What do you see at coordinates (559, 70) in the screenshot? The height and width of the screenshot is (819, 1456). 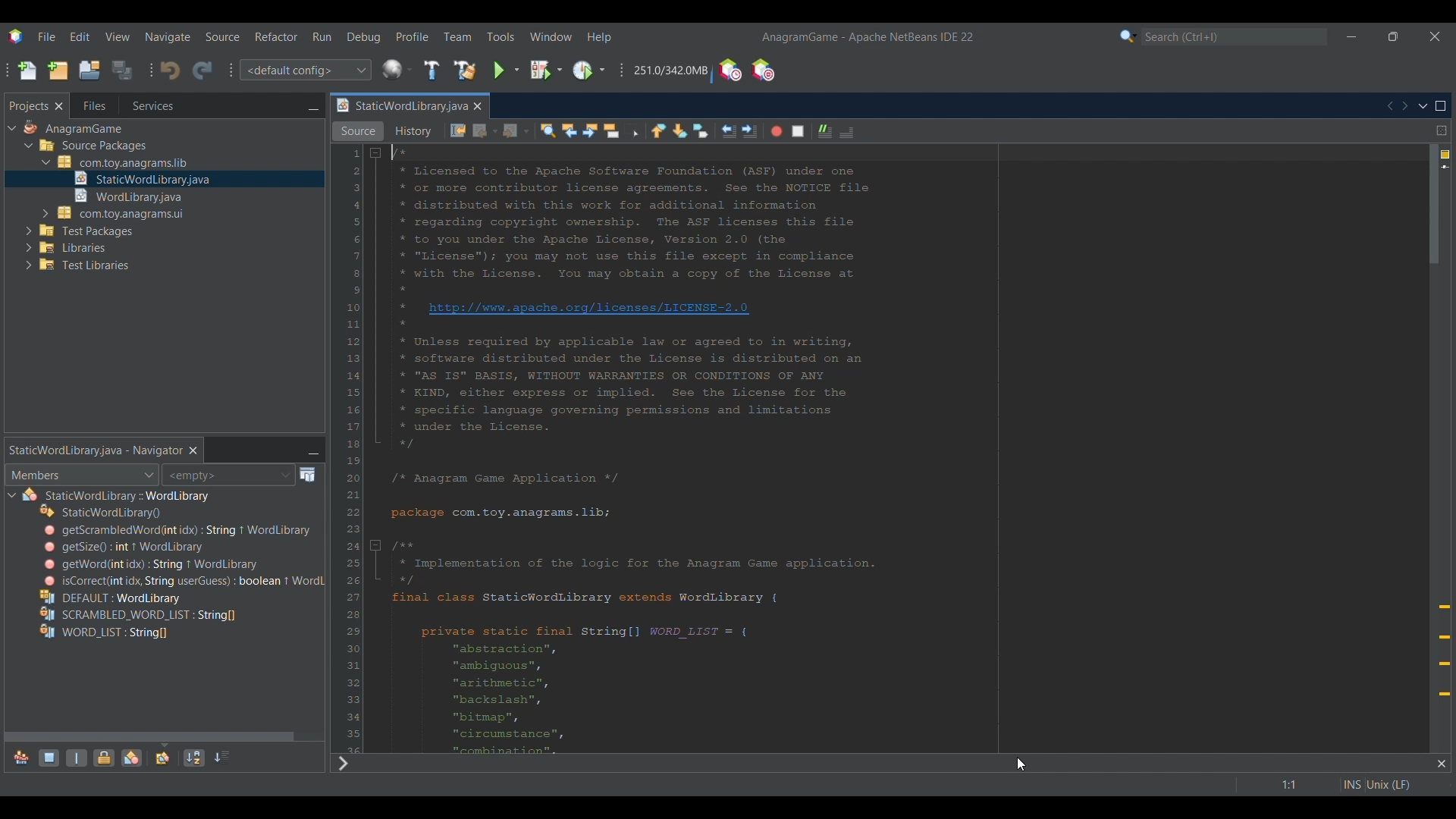 I see `Debug project options` at bounding box center [559, 70].